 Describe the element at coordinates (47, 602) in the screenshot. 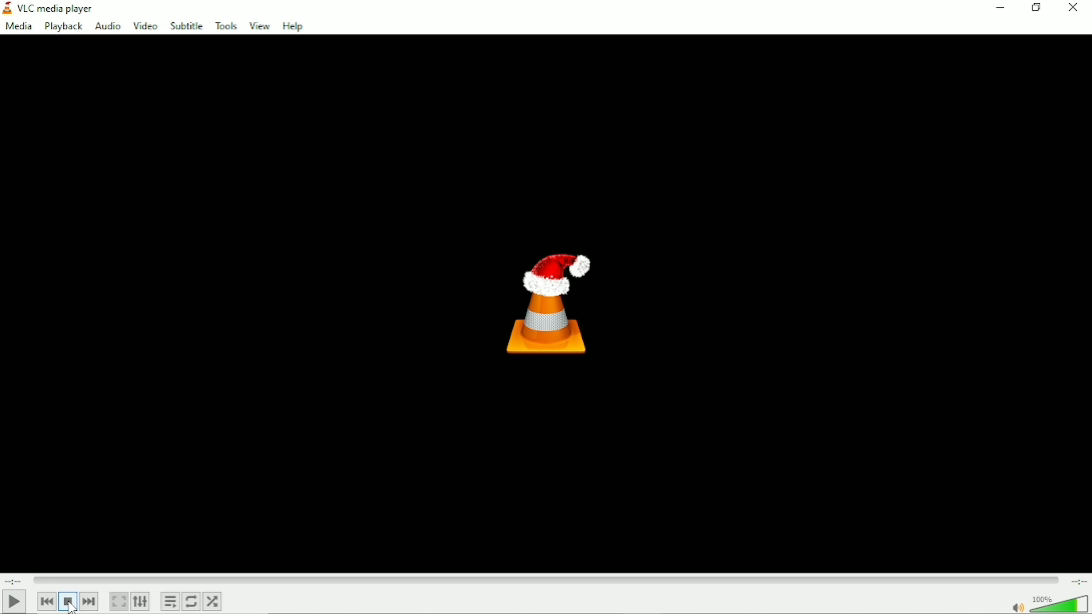

I see `Previous` at that location.